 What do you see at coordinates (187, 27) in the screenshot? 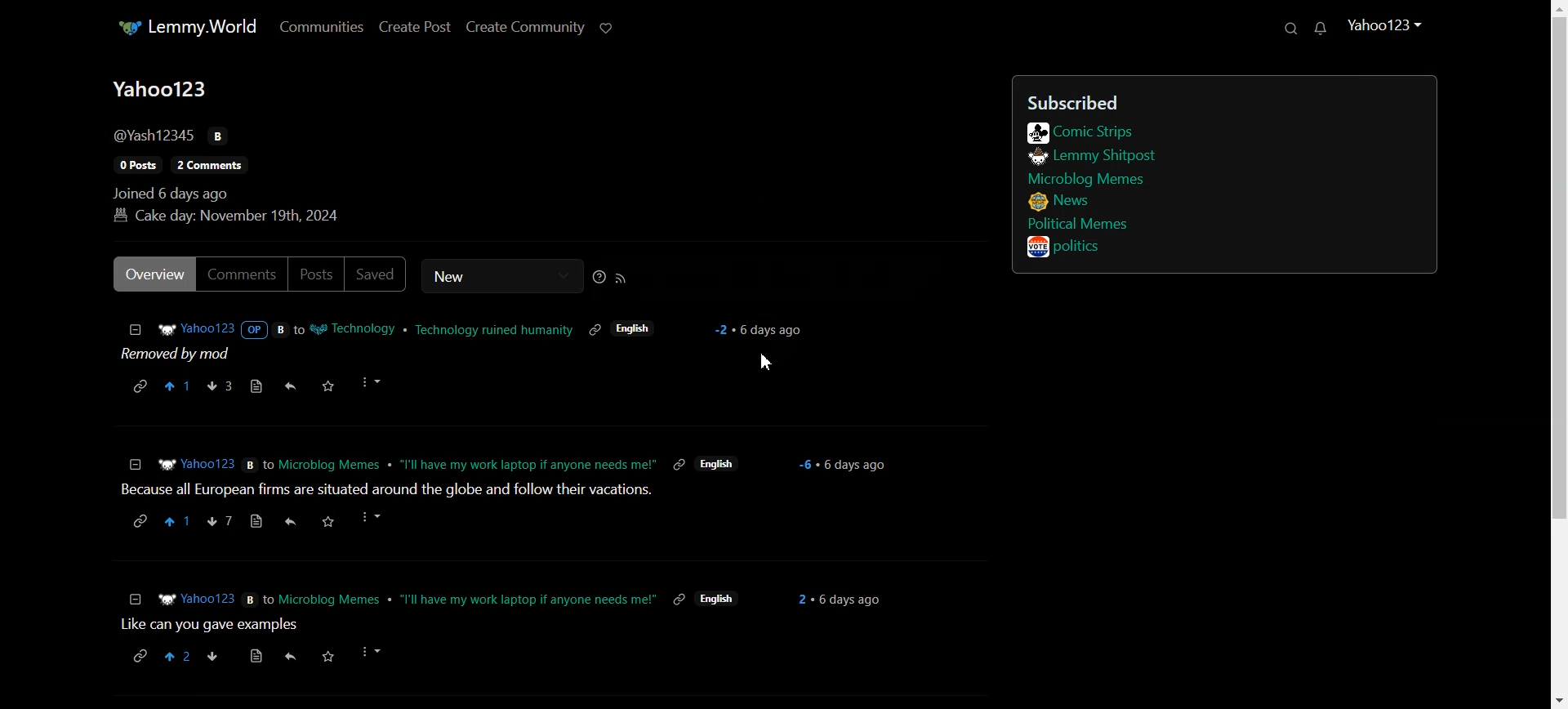
I see `Home page` at bounding box center [187, 27].